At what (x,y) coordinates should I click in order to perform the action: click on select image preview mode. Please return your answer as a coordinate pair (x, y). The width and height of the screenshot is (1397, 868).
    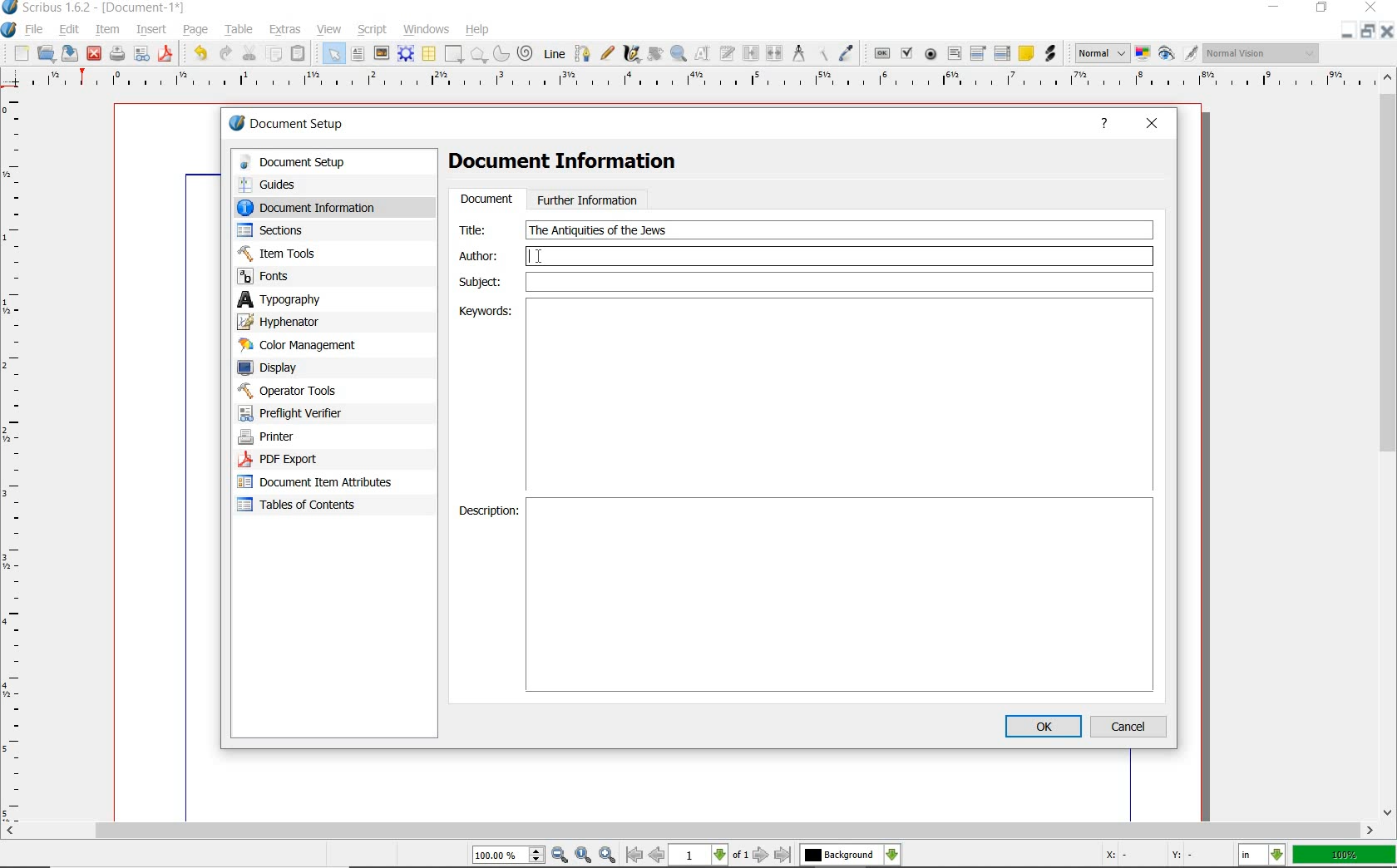
    Looking at the image, I should click on (1102, 54).